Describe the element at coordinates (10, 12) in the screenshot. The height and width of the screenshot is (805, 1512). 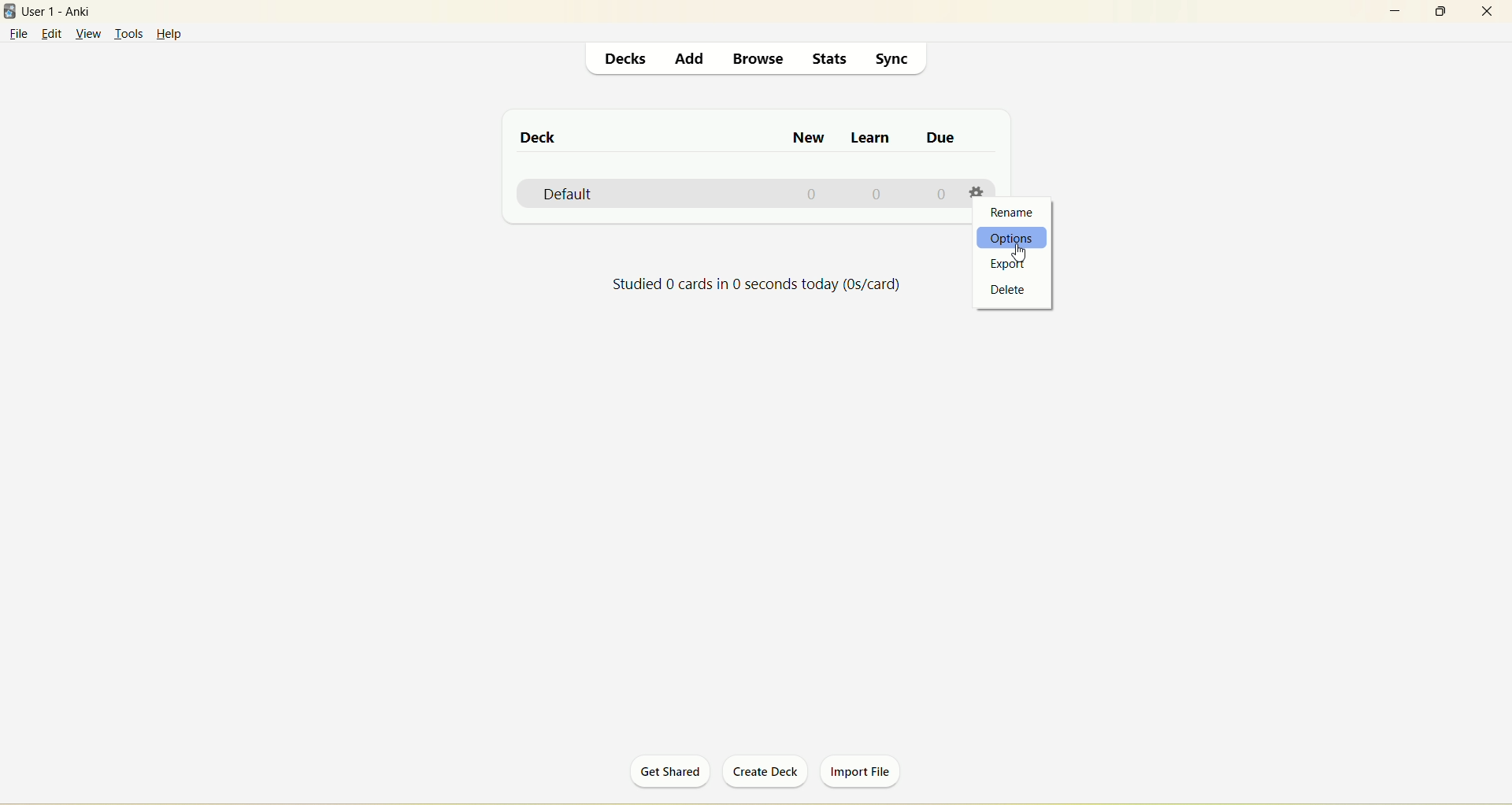
I see `logo` at that location.